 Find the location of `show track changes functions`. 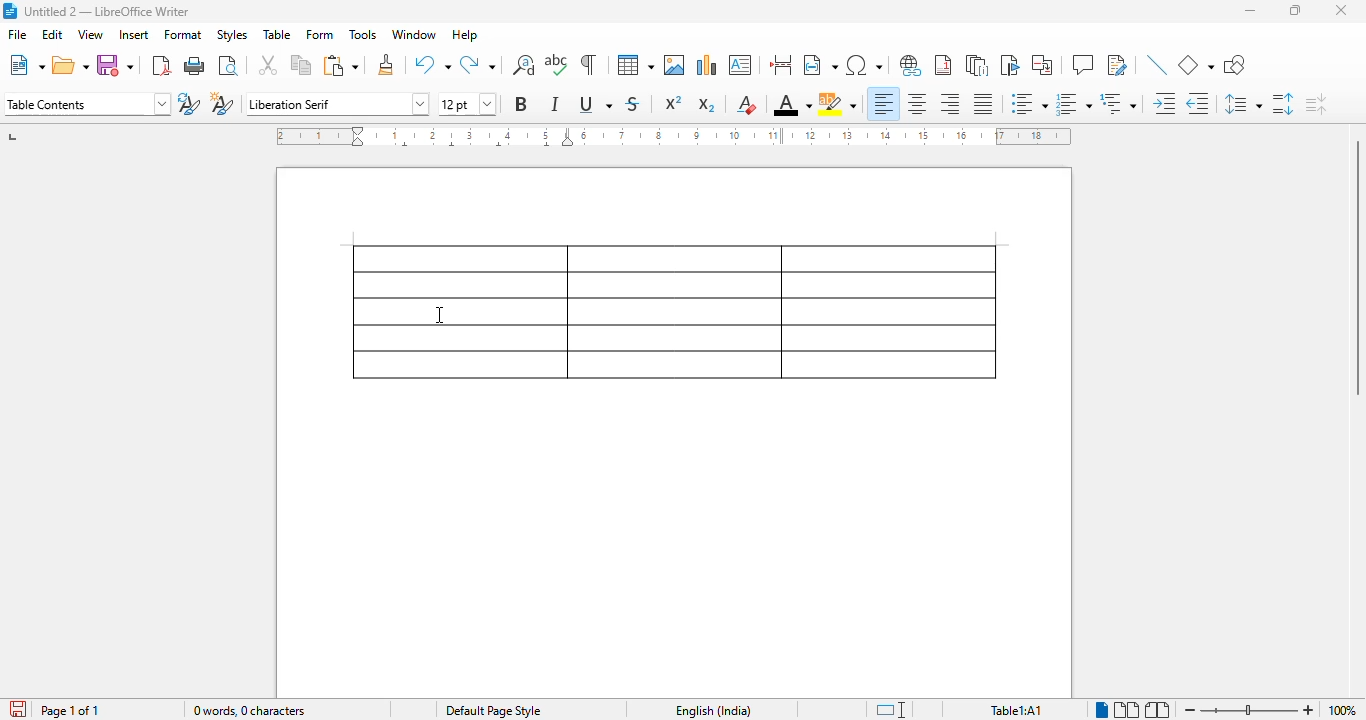

show track changes functions is located at coordinates (1118, 65).